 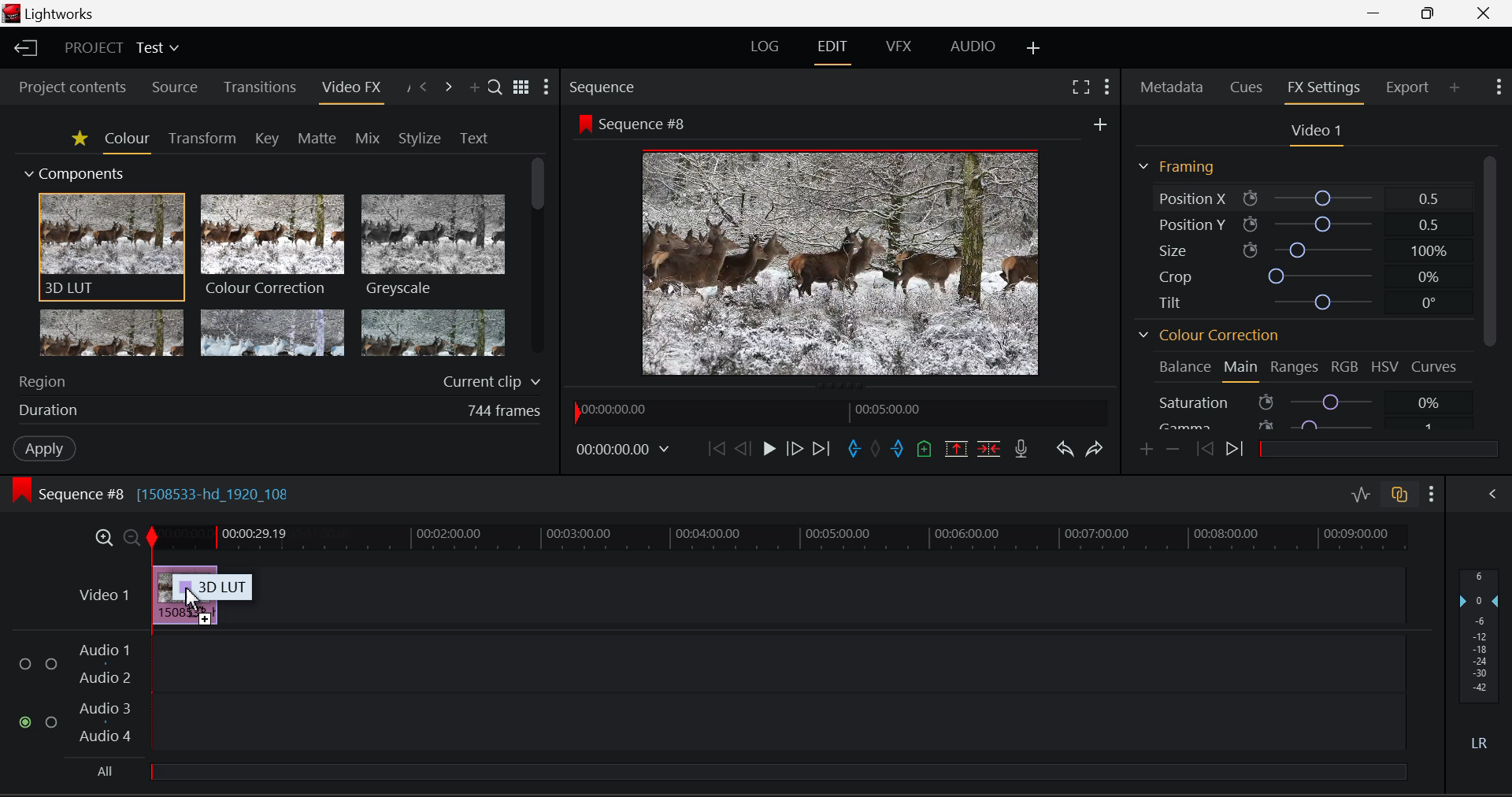 I want to click on Sequence Preview Section, so click(x=603, y=87).